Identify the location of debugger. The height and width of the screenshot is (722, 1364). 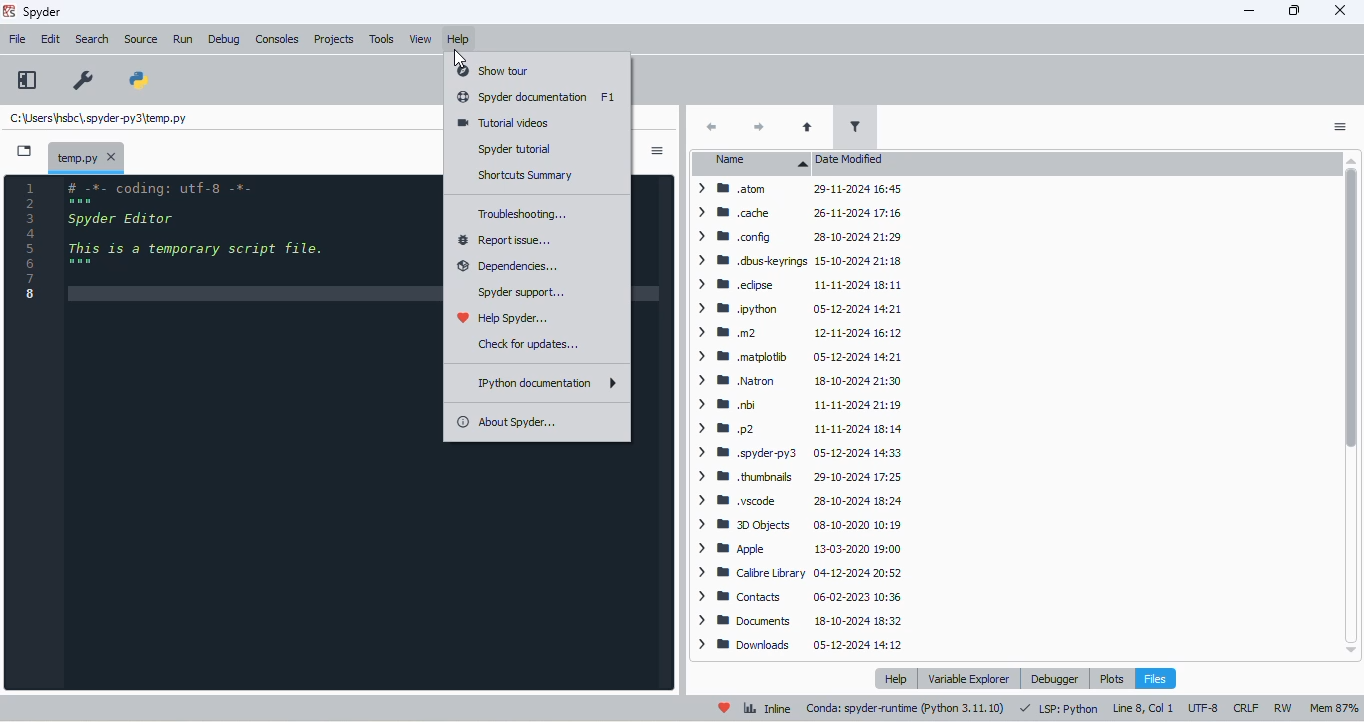
(1054, 679).